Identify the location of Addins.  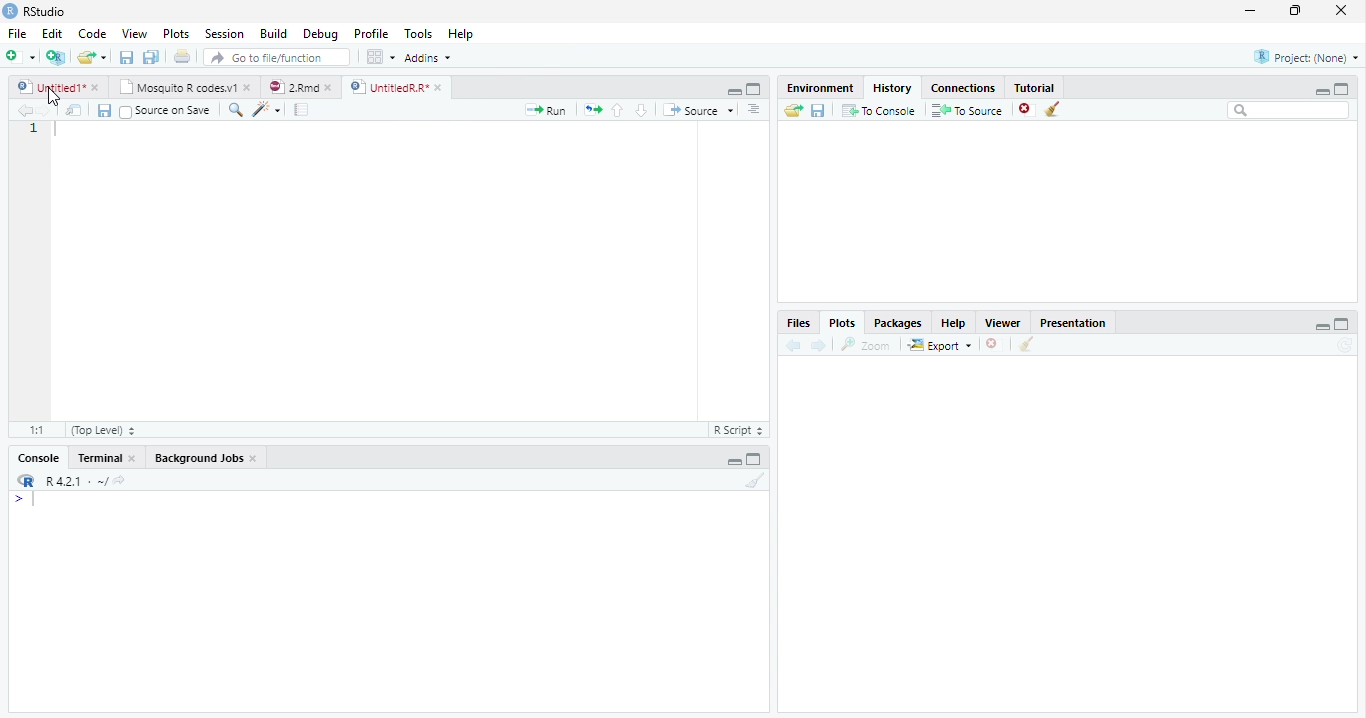
(430, 57).